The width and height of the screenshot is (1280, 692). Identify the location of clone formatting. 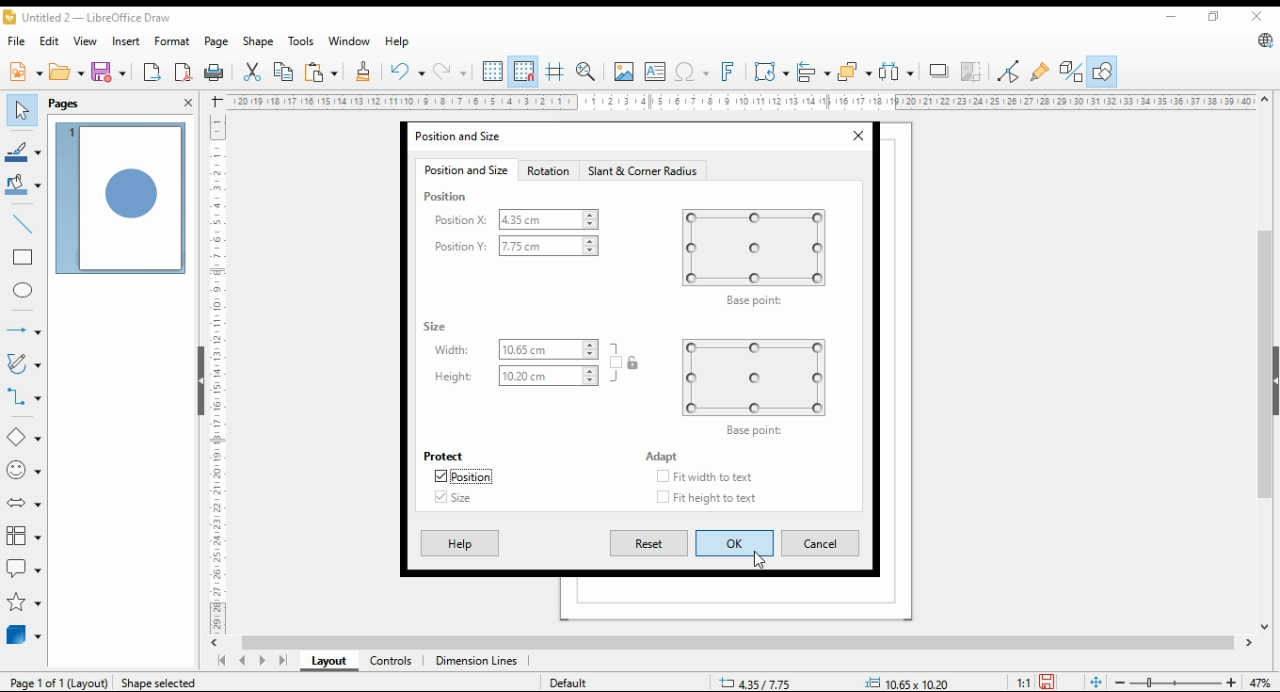
(365, 72).